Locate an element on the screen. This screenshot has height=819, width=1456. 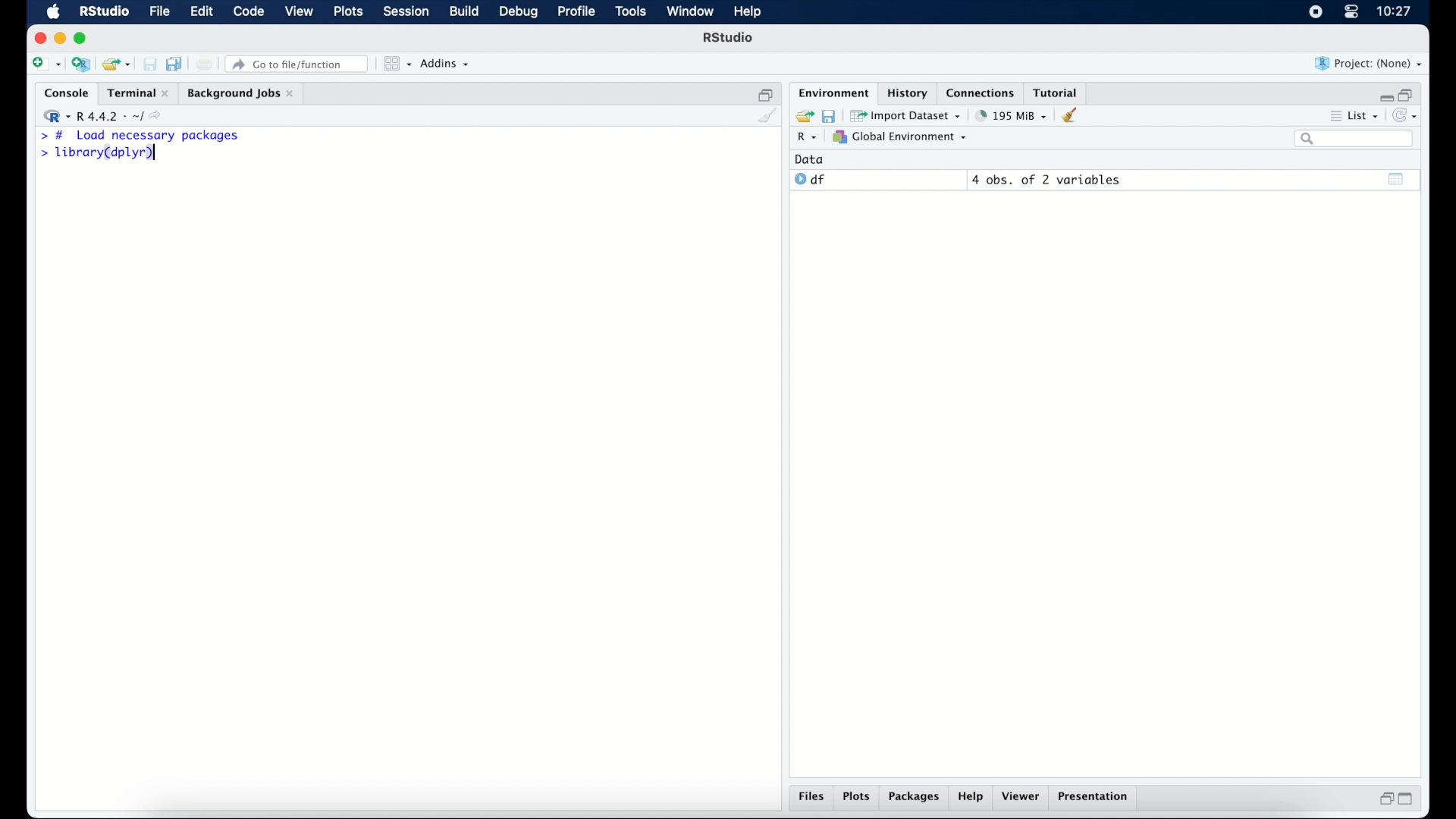
minimize is located at coordinates (60, 38).